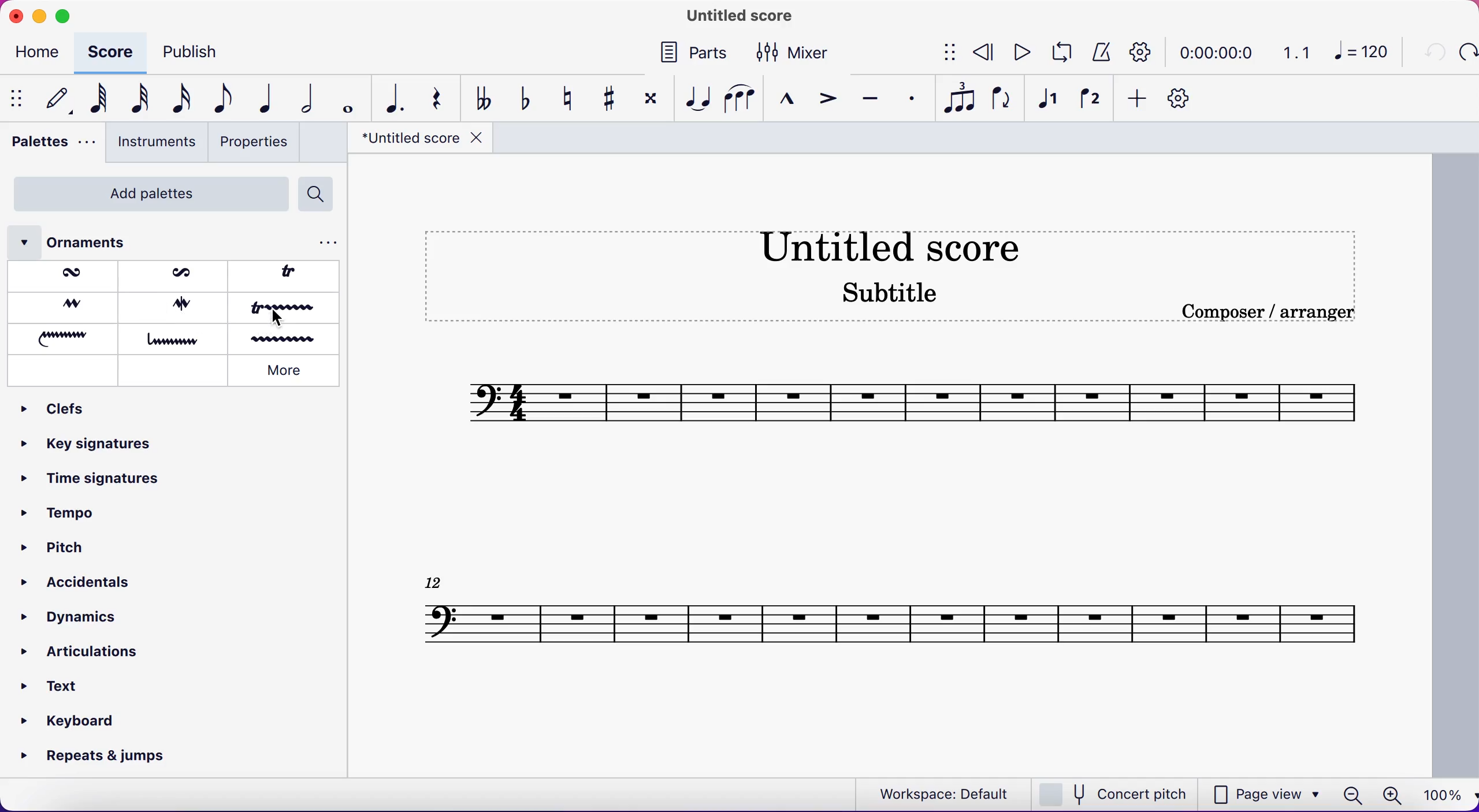 The height and width of the screenshot is (812, 1479). I want to click on instruments, so click(155, 143).